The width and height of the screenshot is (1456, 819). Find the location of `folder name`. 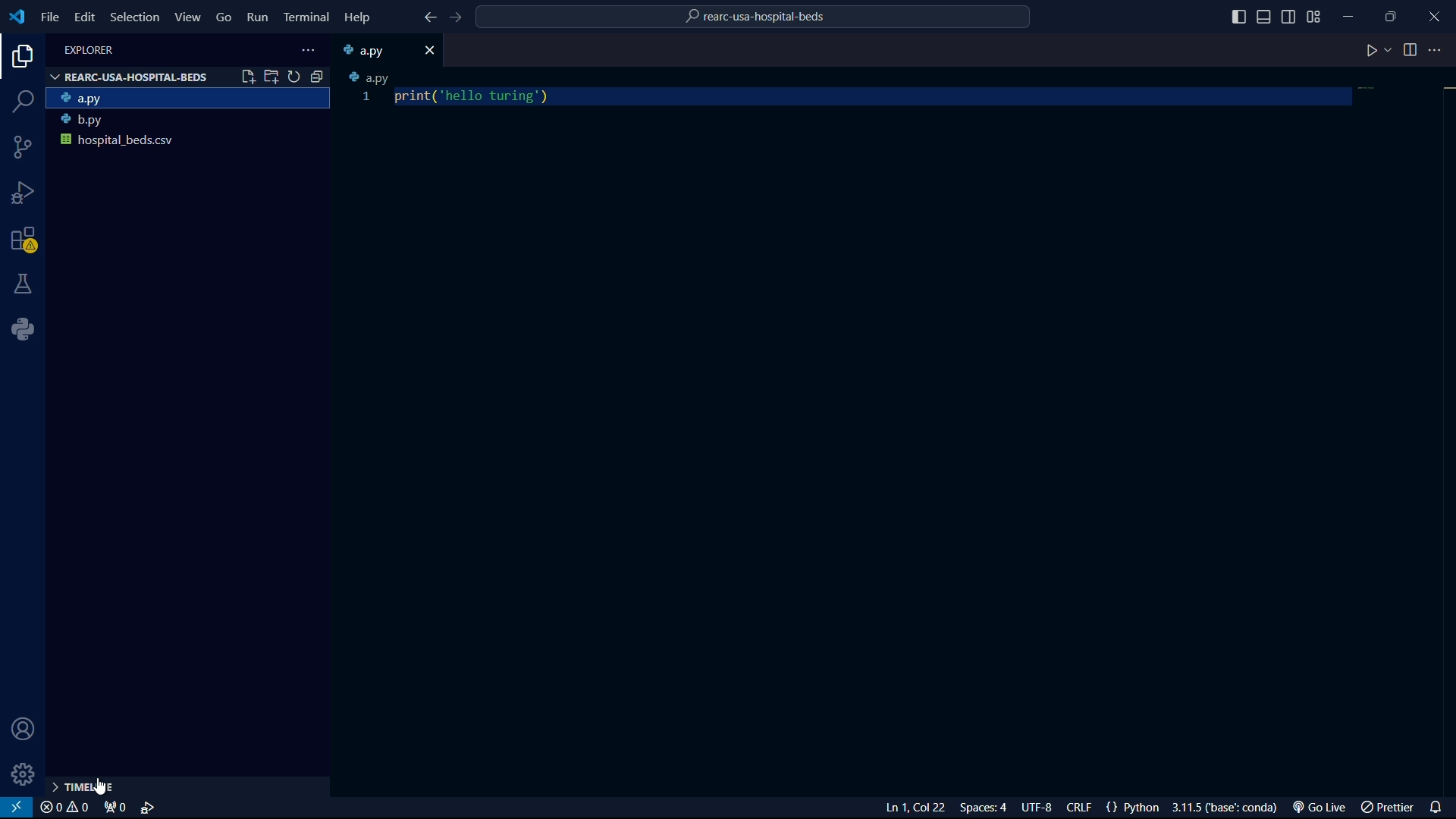

folder name is located at coordinates (130, 77).